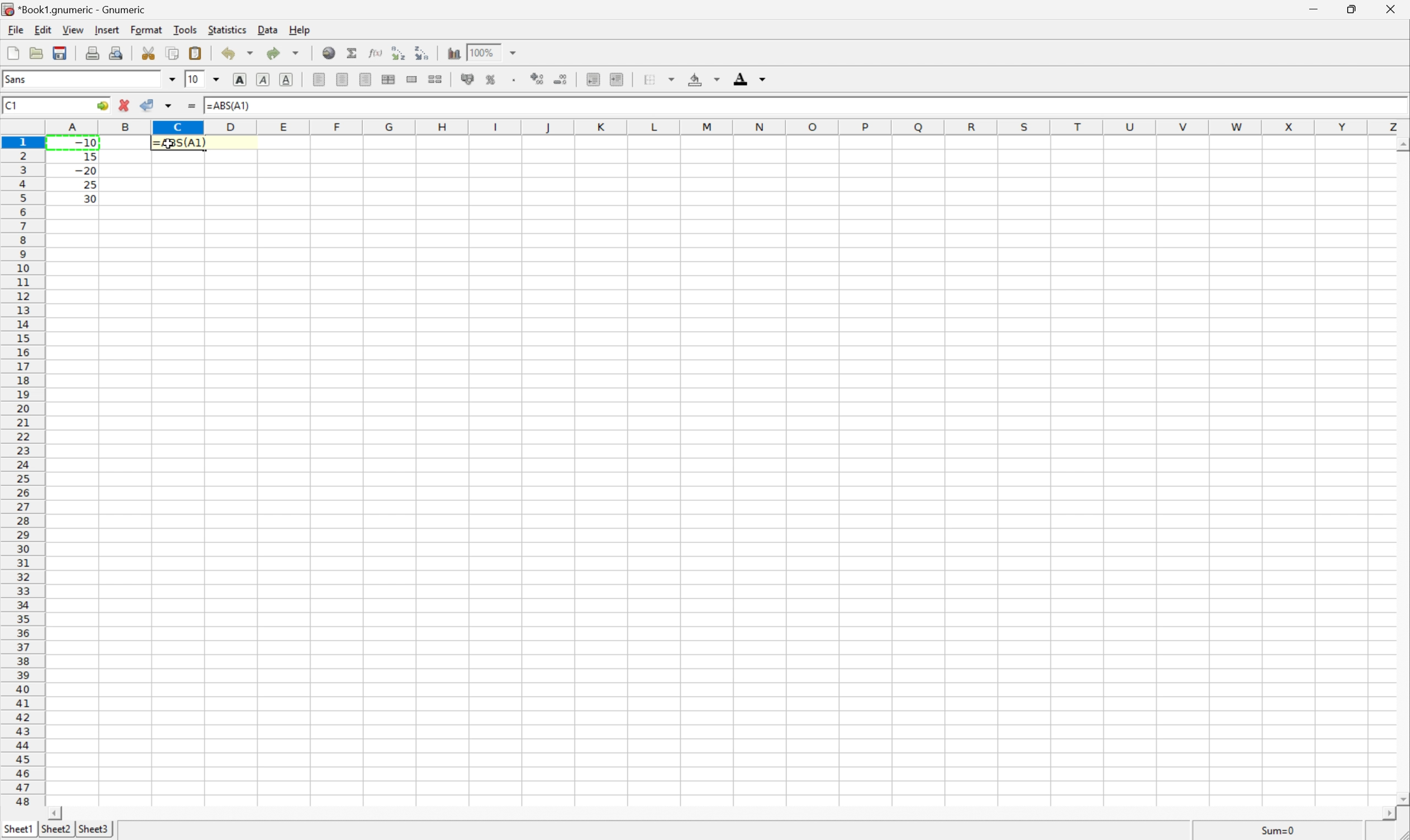 This screenshot has height=840, width=1410. Describe the element at coordinates (1279, 831) in the screenshot. I see `Sum =-10` at that location.